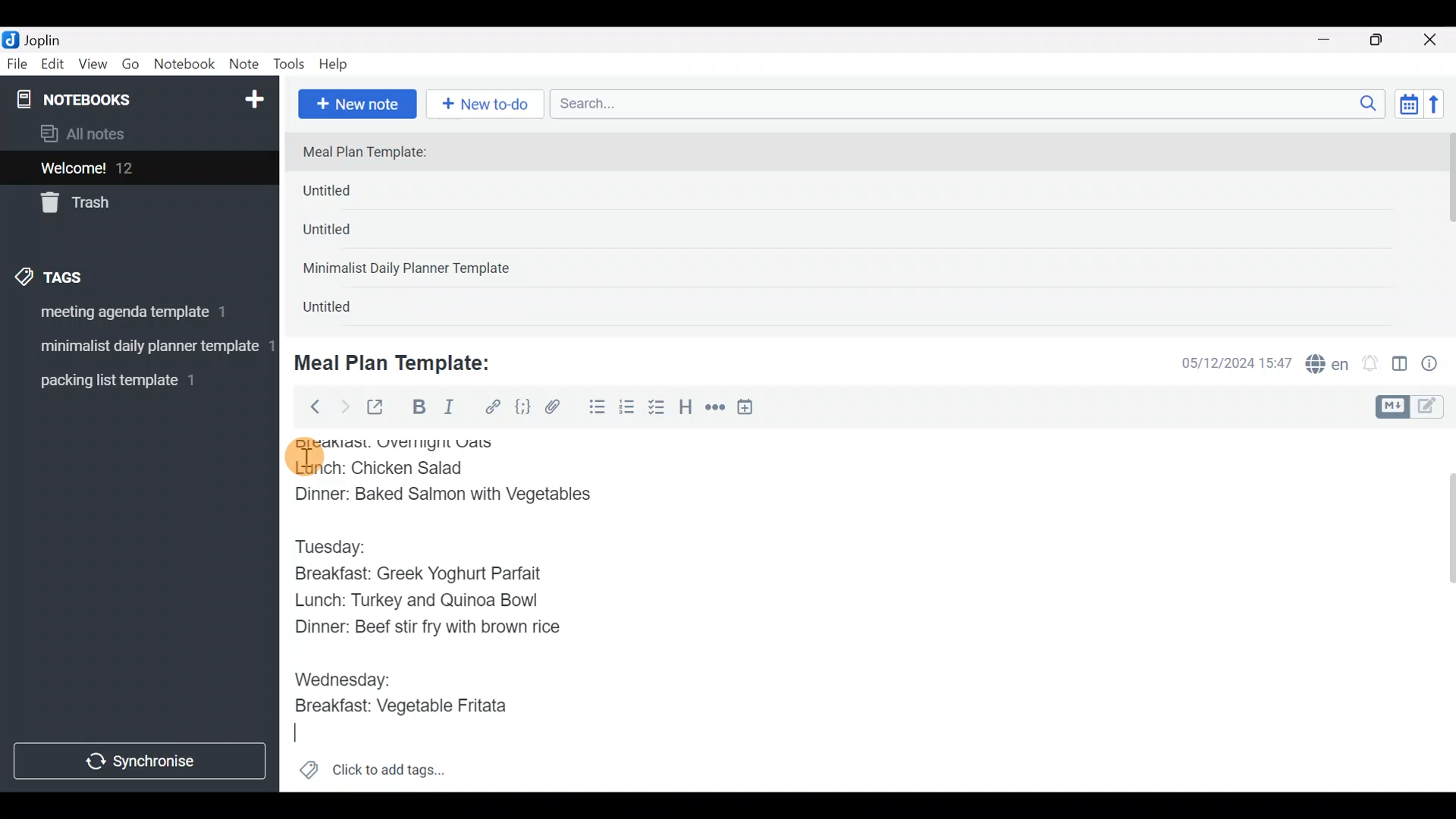  I want to click on Minimize, so click(1332, 38).